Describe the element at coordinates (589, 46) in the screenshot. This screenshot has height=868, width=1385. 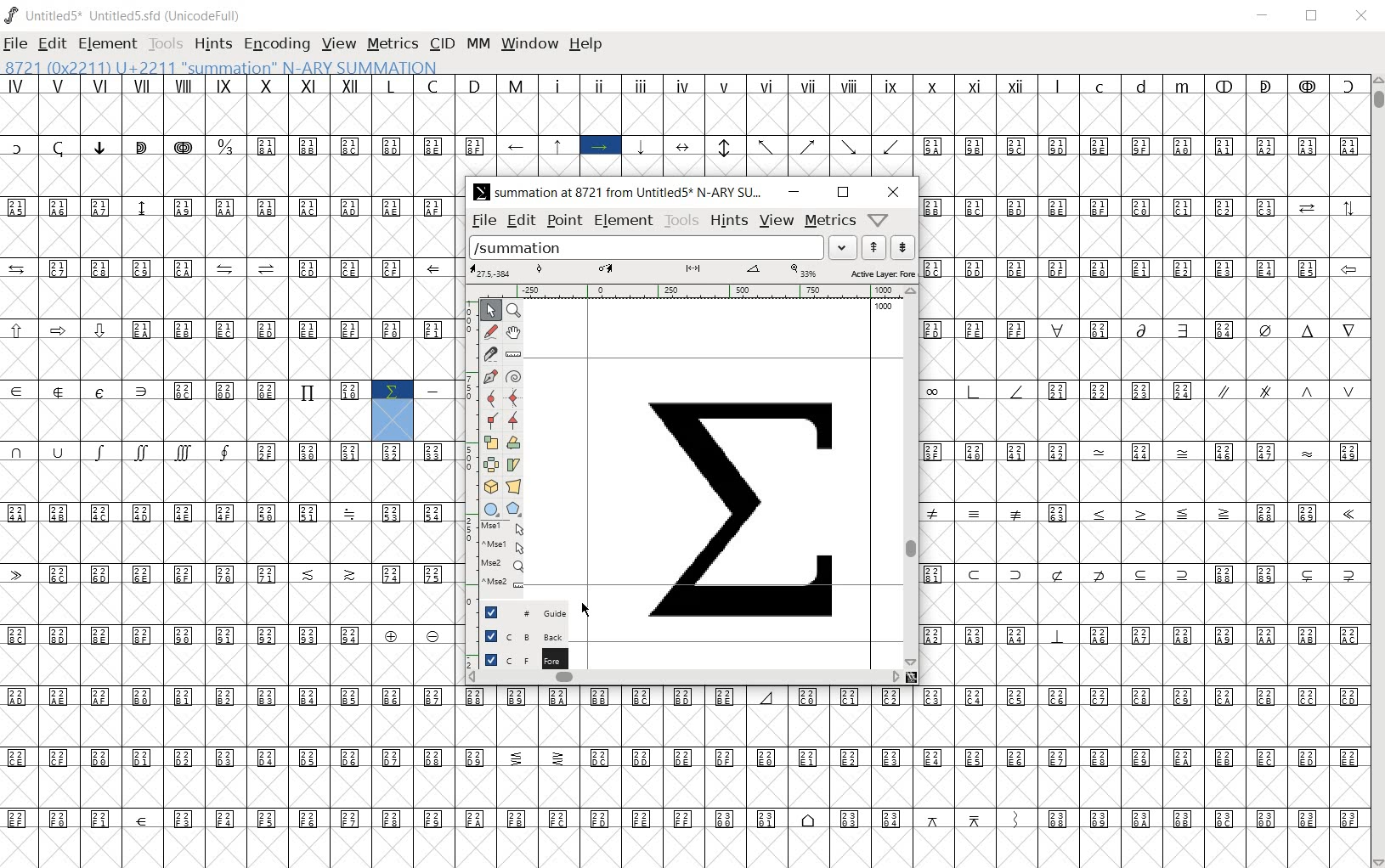
I see `HELP` at that location.